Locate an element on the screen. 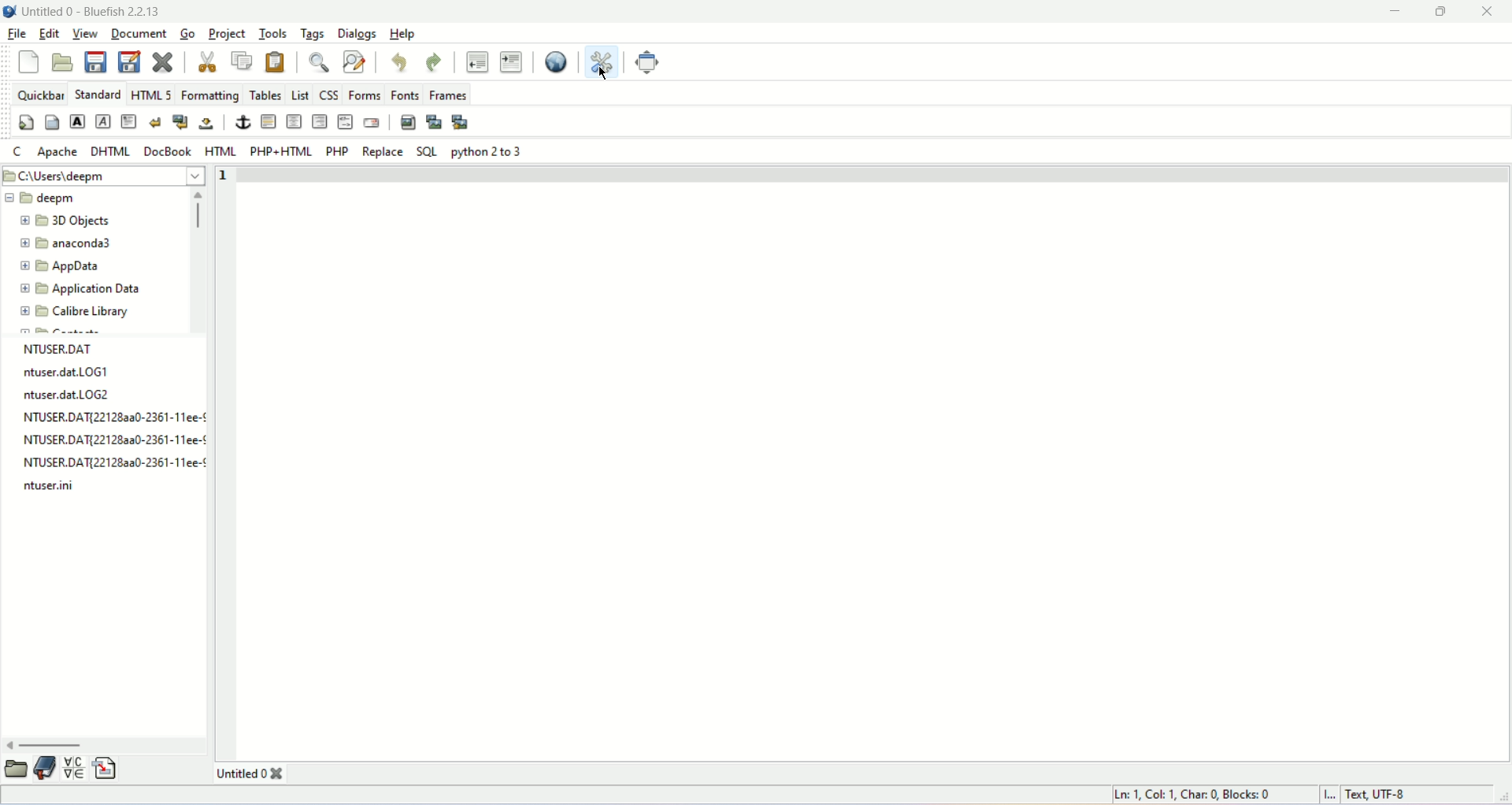  horizontal rule is located at coordinates (268, 122).